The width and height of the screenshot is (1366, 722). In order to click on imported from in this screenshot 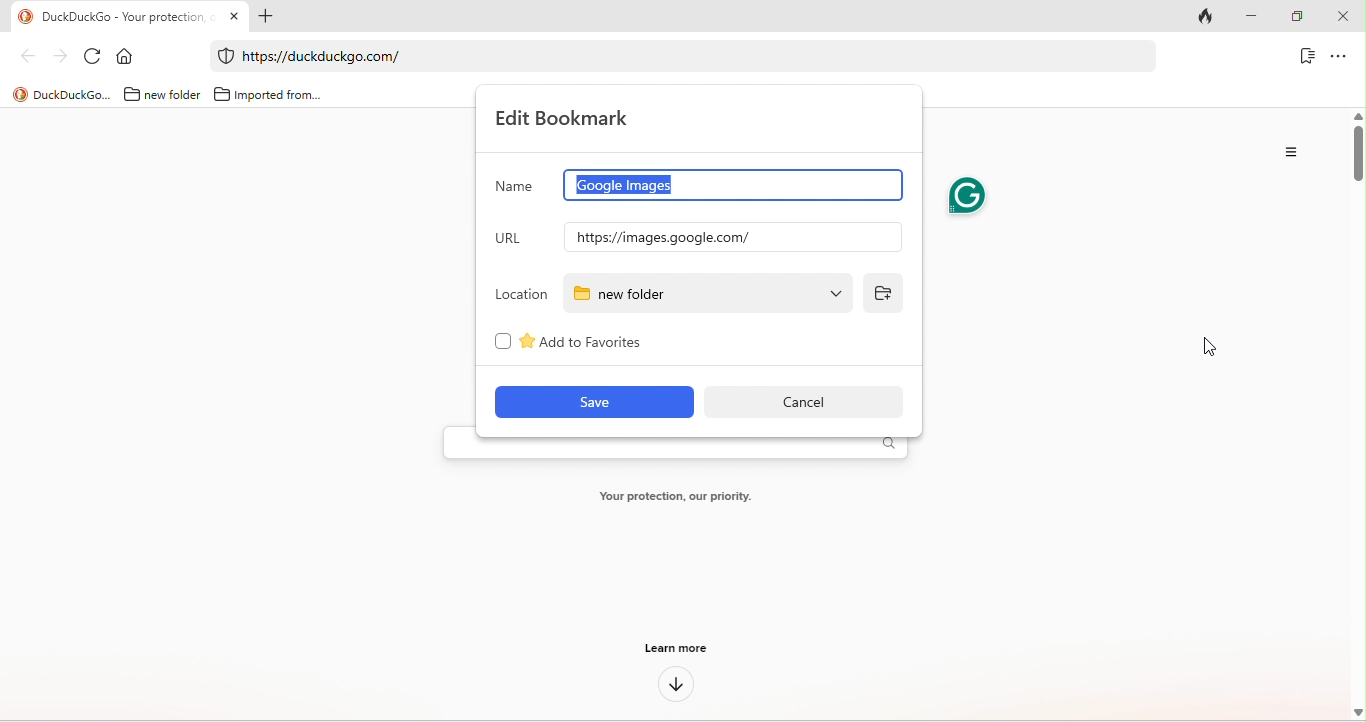, I will do `click(267, 91)`.